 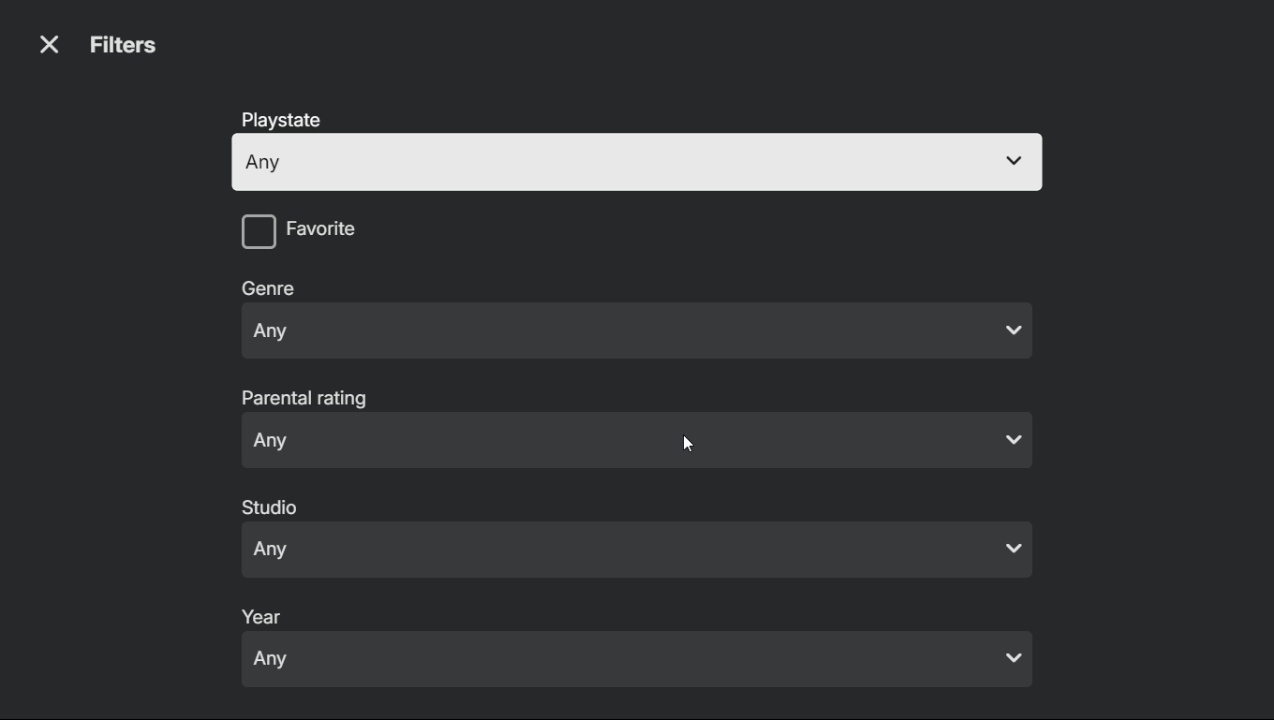 I want to click on Any, so click(x=642, y=662).